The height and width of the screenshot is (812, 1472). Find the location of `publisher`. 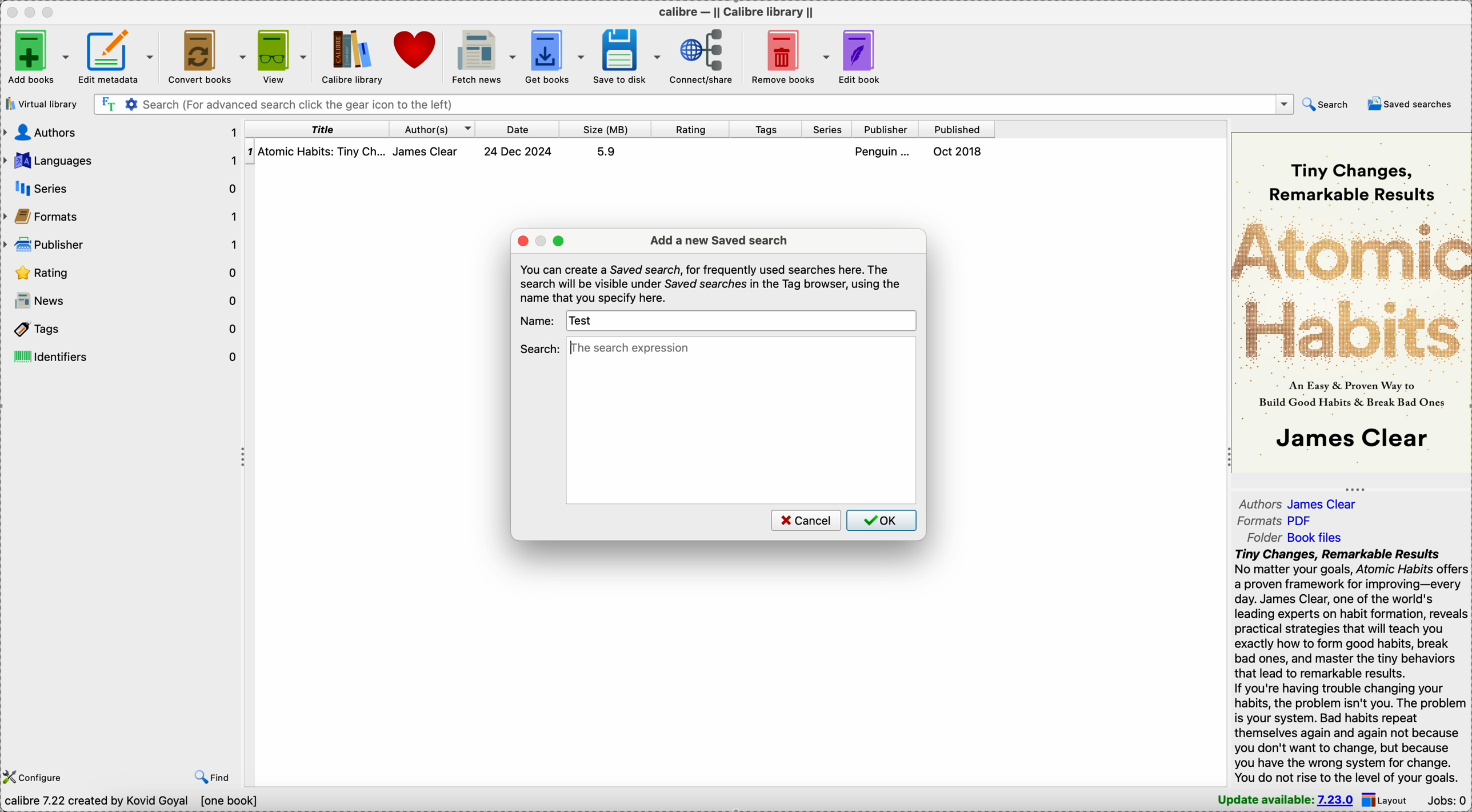

publisher is located at coordinates (122, 246).